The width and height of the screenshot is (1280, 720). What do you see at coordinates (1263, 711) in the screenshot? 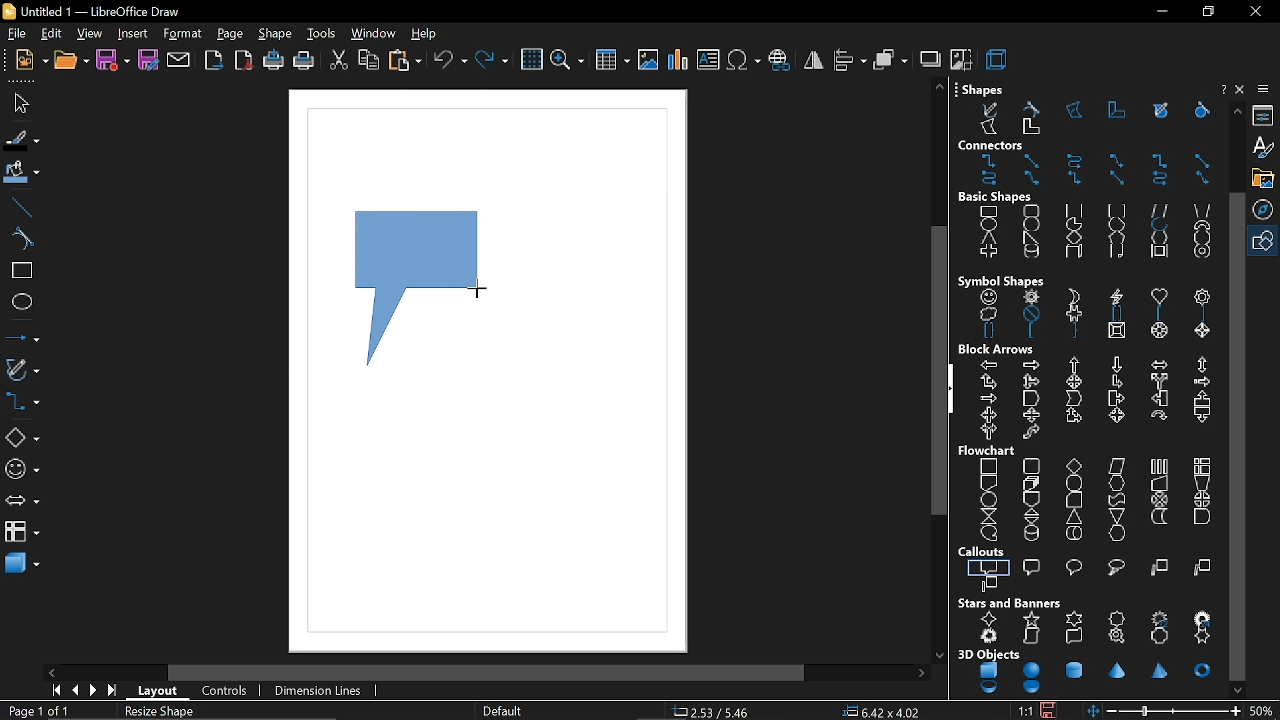
I see `current zoom` at bounding box center [1263, 711].